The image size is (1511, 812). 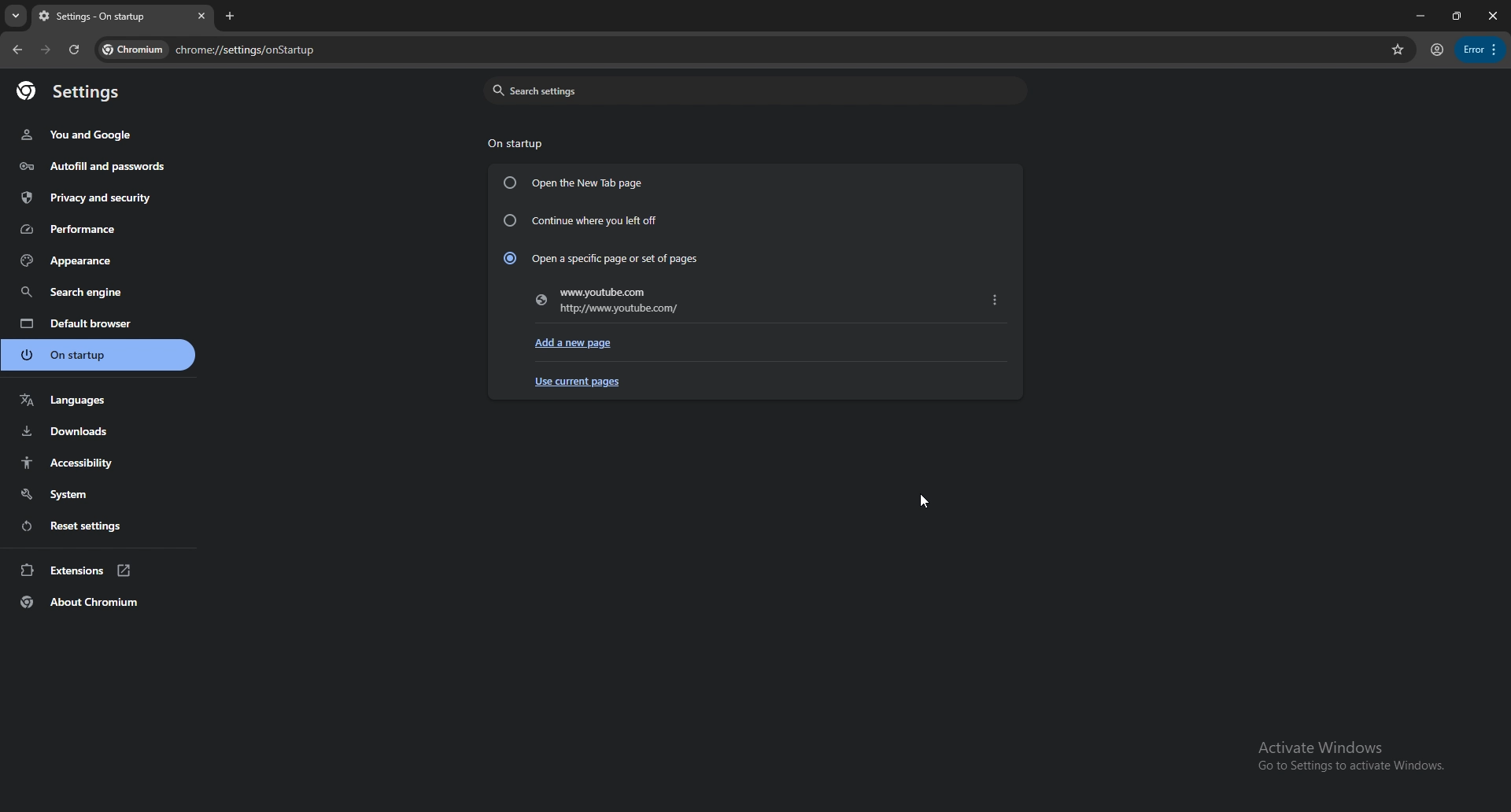 What do you see at coordinates (133, 50) in the screenshot?
I see `chromium` at bounding box center [133, 50].